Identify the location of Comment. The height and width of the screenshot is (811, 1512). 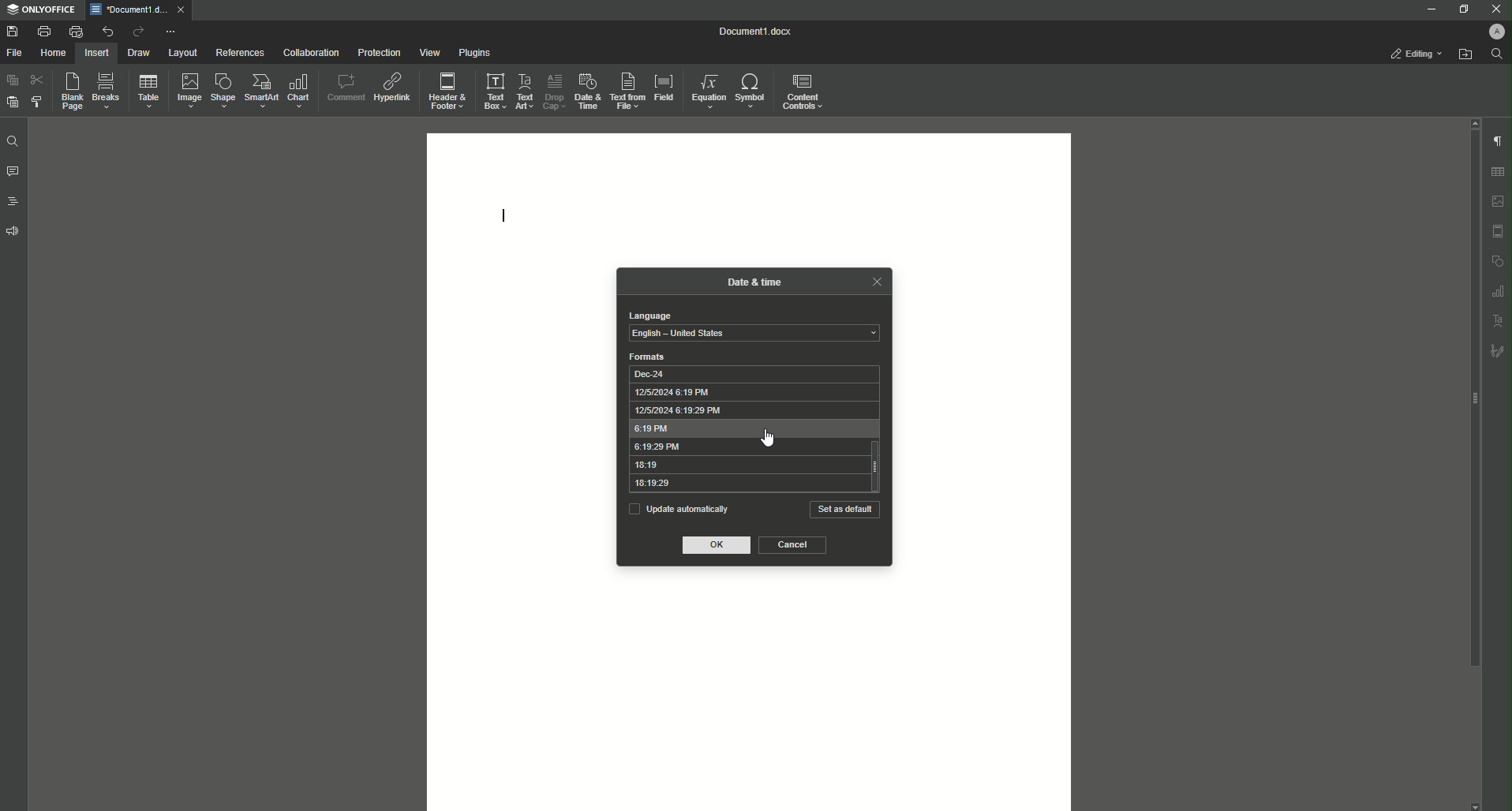
(344, 85).